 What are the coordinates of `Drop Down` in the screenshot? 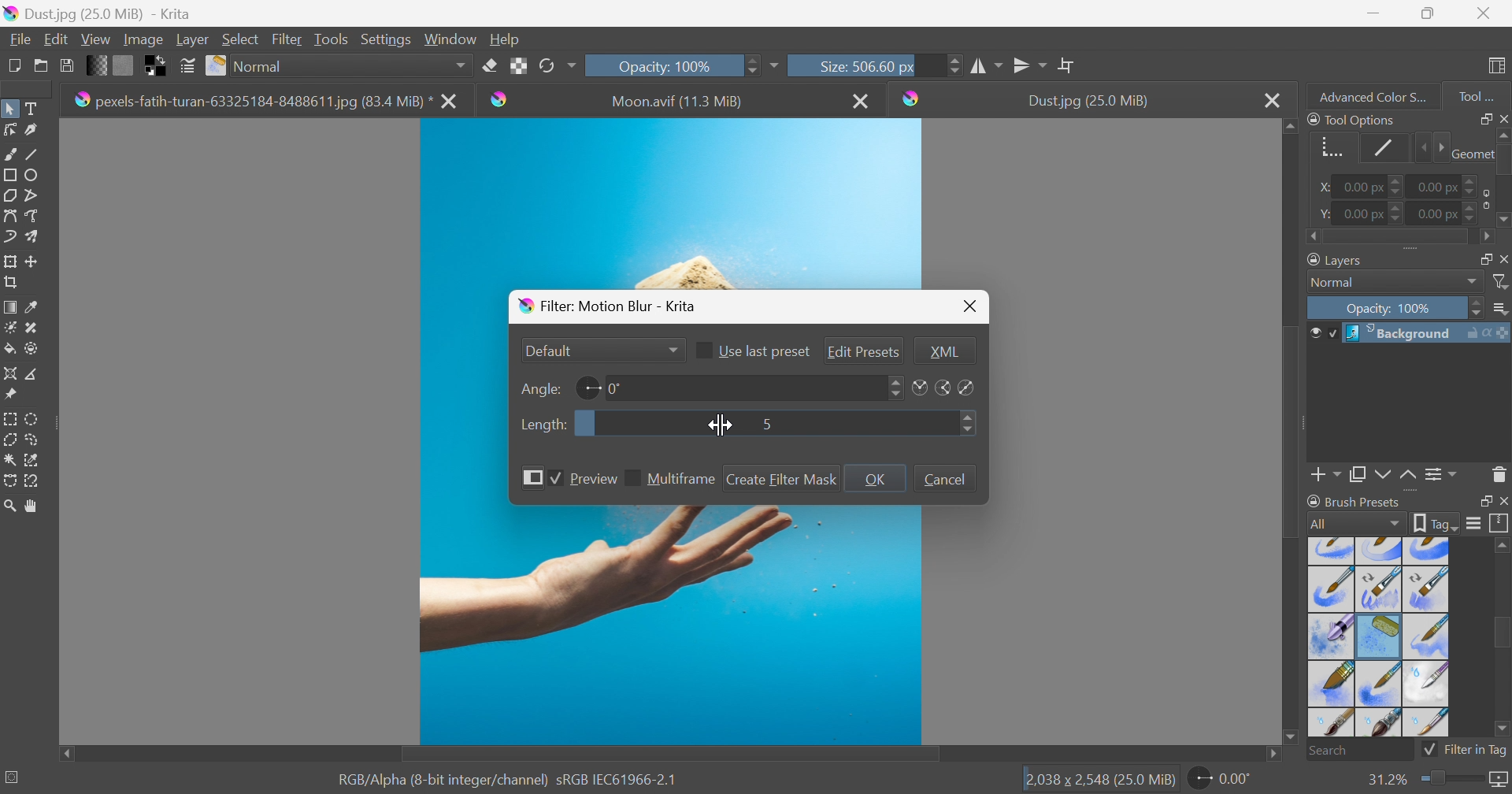 It's located at (1502, 310).